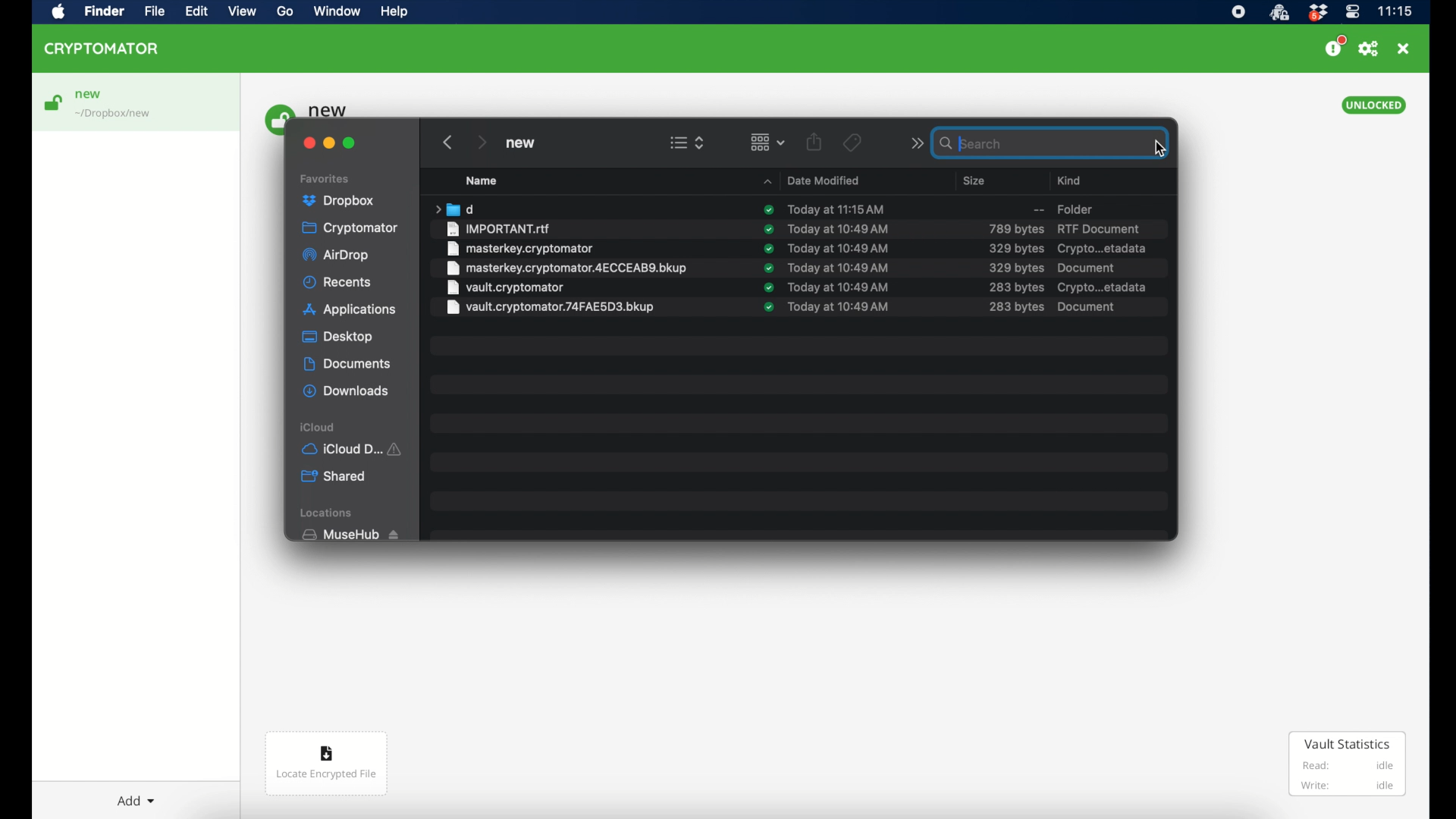  Describe the element at coordinates (1374, 105) in the screenshot. I see `unlocked` at that location.